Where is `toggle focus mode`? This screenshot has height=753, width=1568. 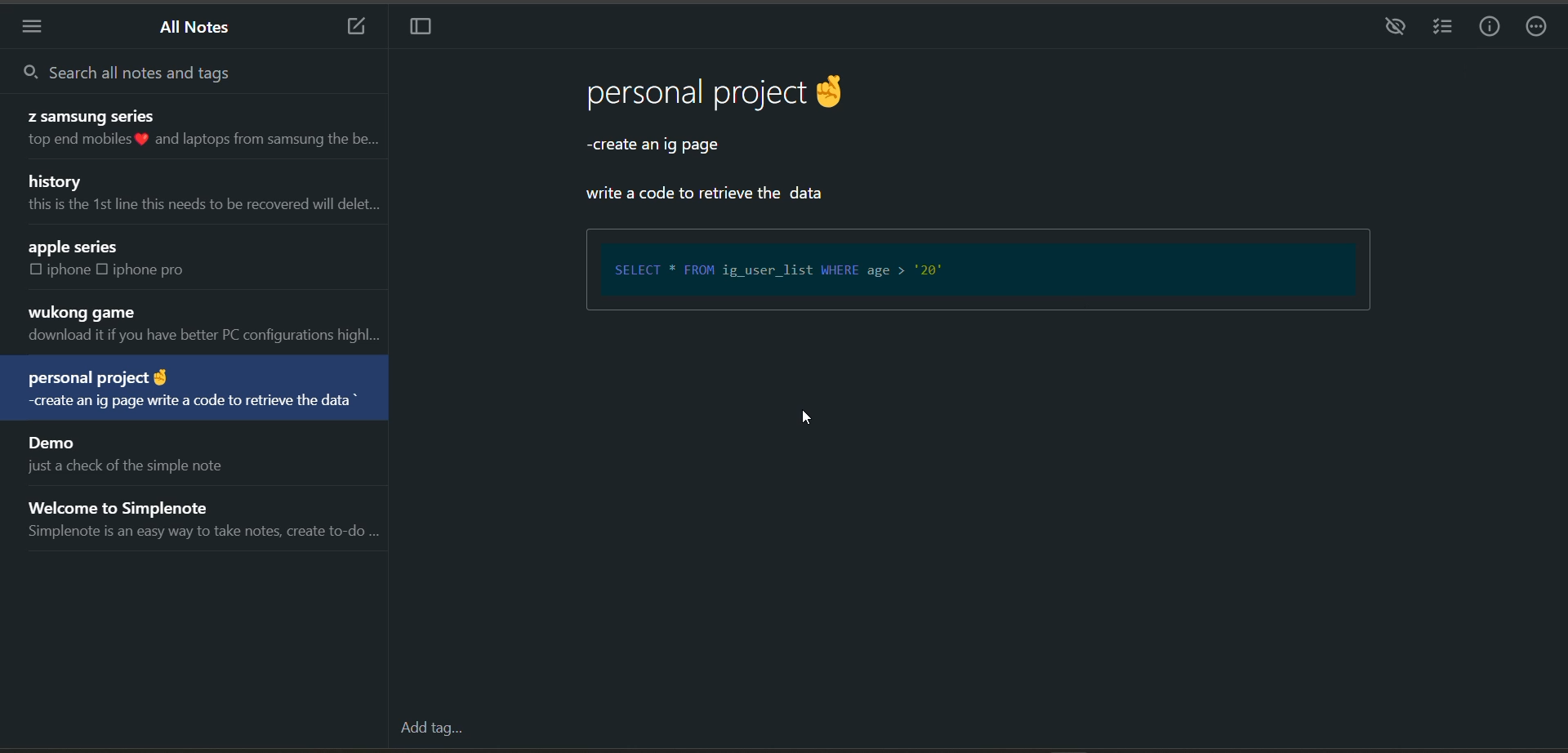 toggle focus mode is located at coordinates (425, 30).